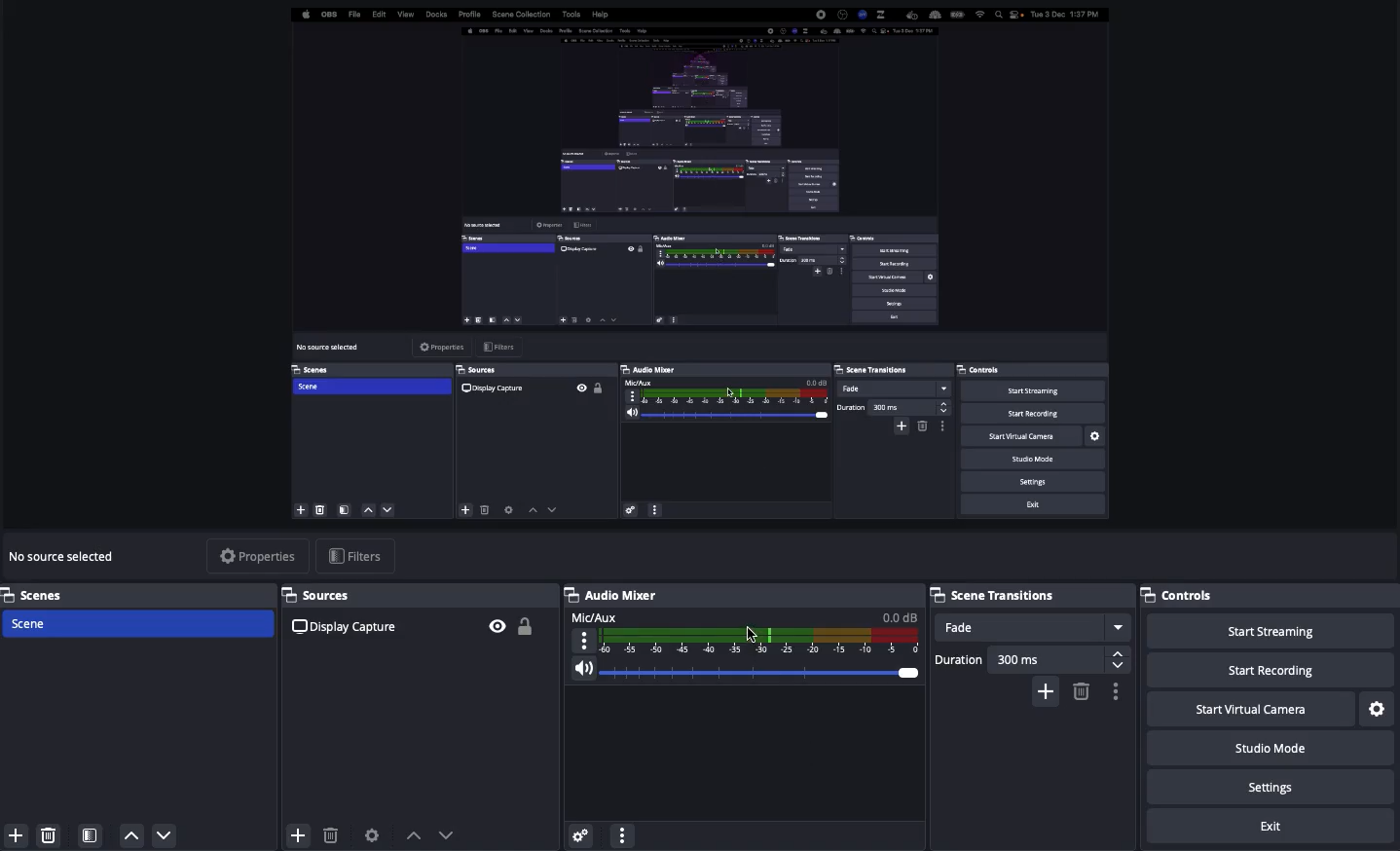  I want to click on Settings, so click(1273, 788).